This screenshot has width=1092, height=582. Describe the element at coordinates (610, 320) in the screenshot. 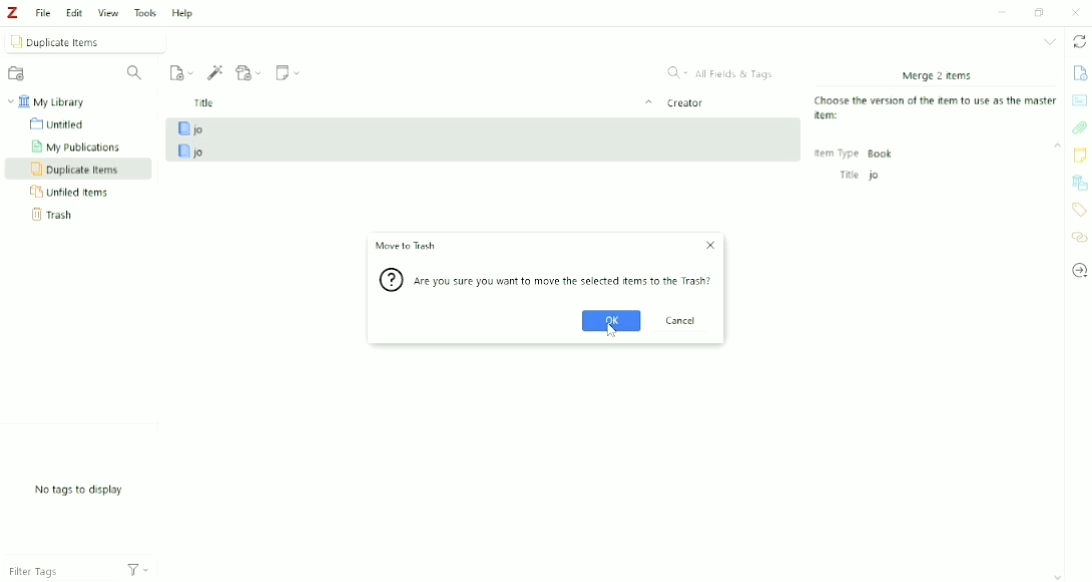

I see `OK` at that location.